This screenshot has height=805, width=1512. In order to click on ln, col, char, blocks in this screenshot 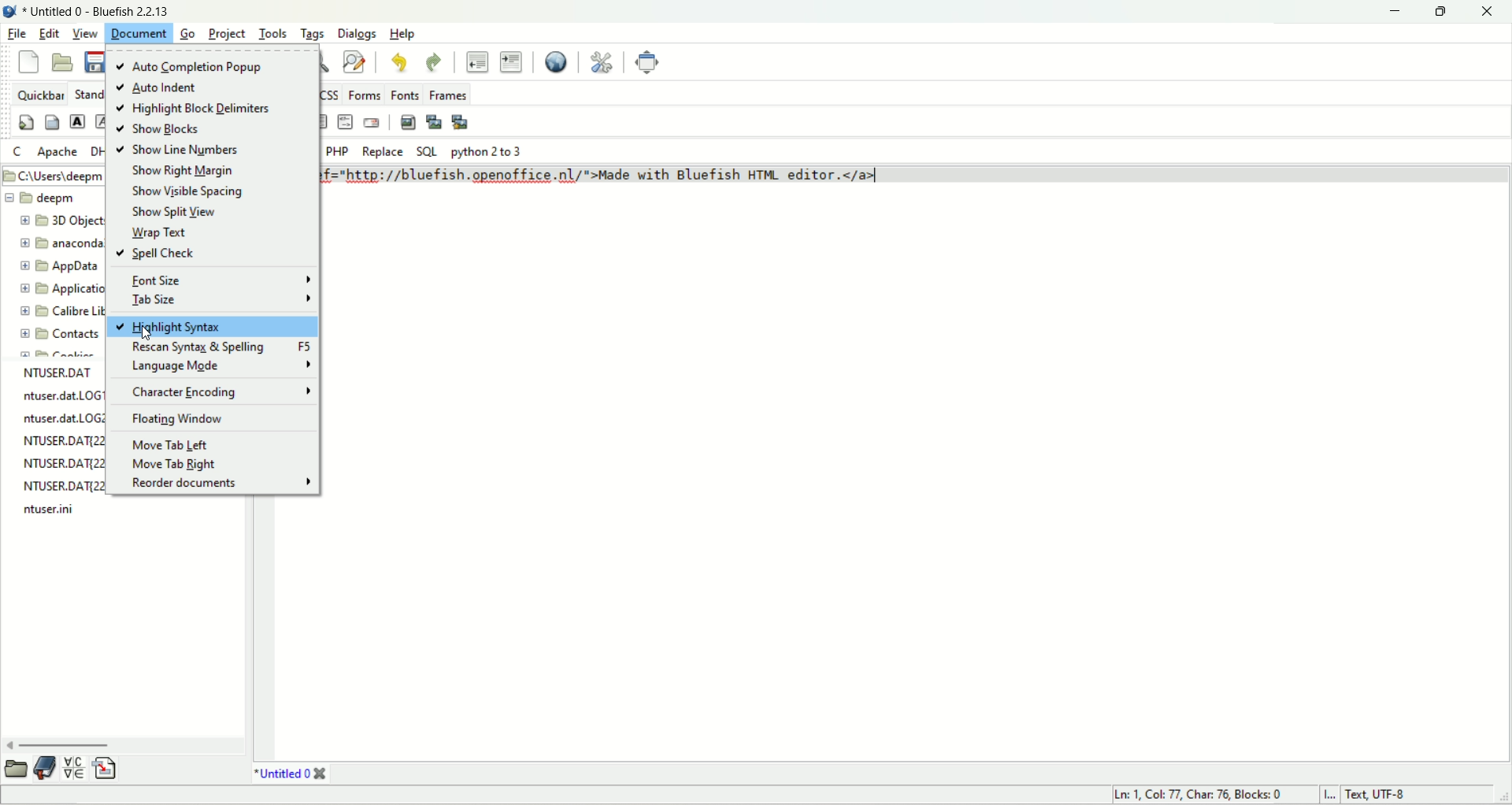, I will do `click(1193, 796)`.